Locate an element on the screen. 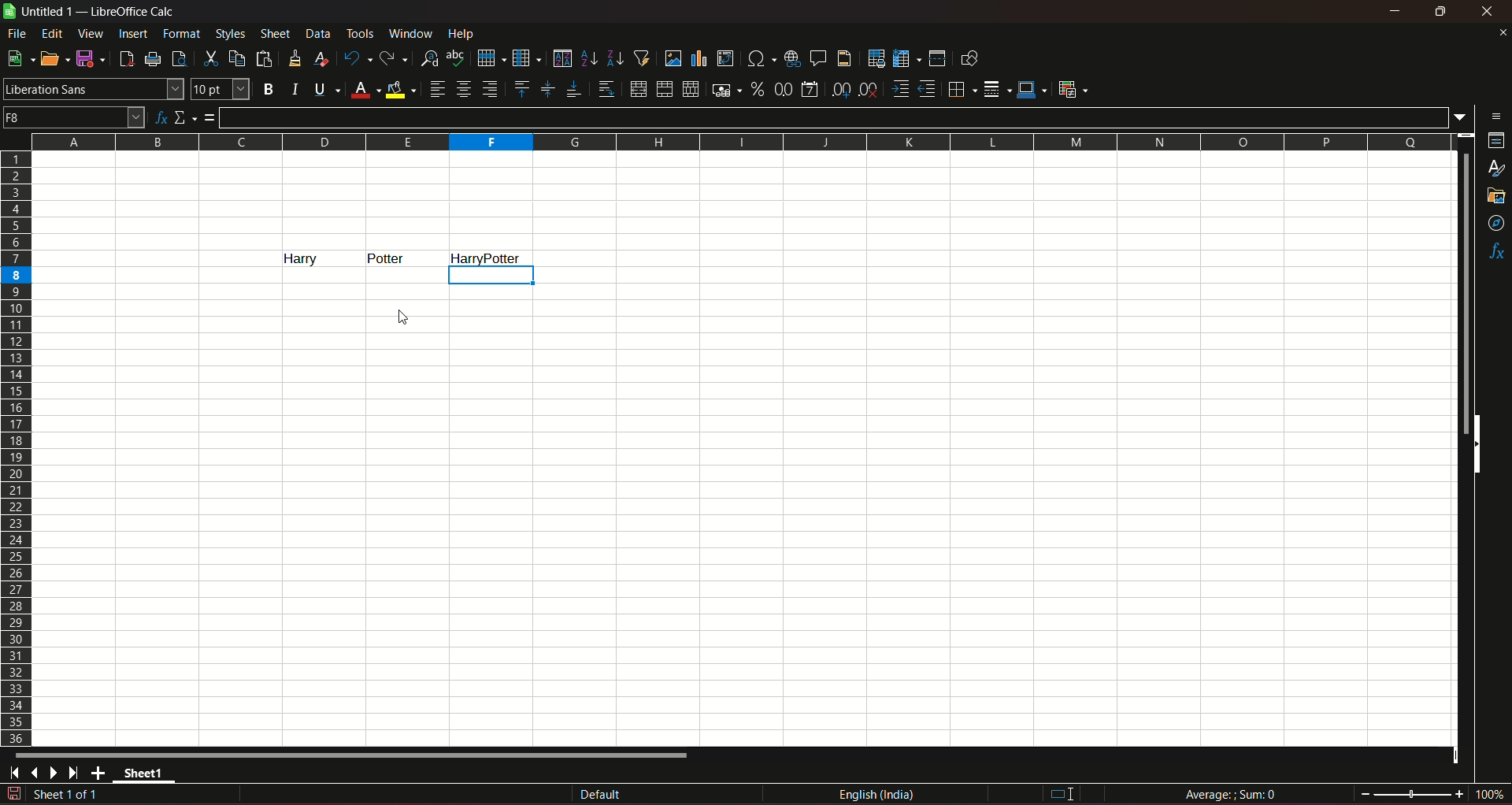 This screenshot has width=1512, height=805. background color is located at coordinates (402, 89).